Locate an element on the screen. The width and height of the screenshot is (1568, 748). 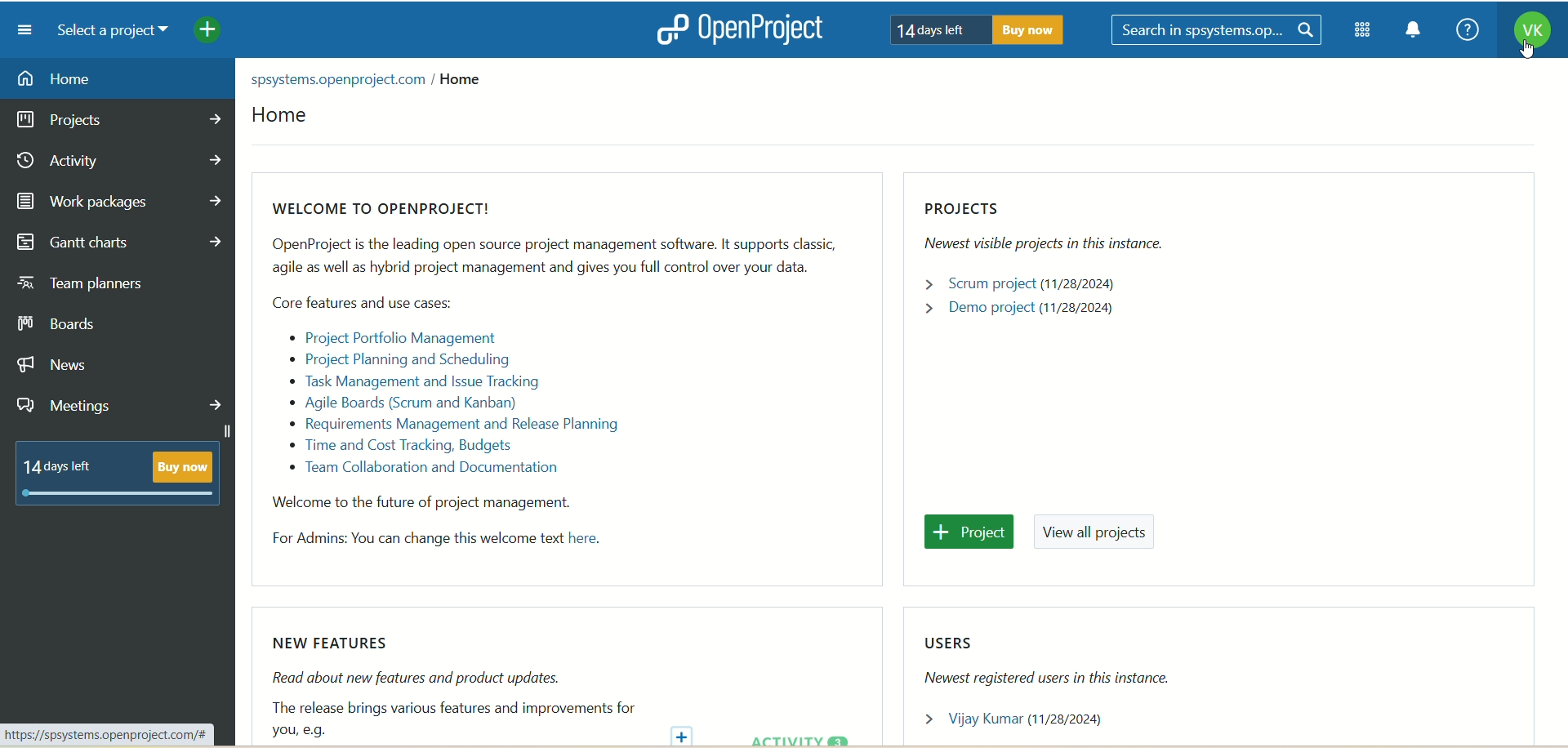
text is located at coordinates (971, 29).